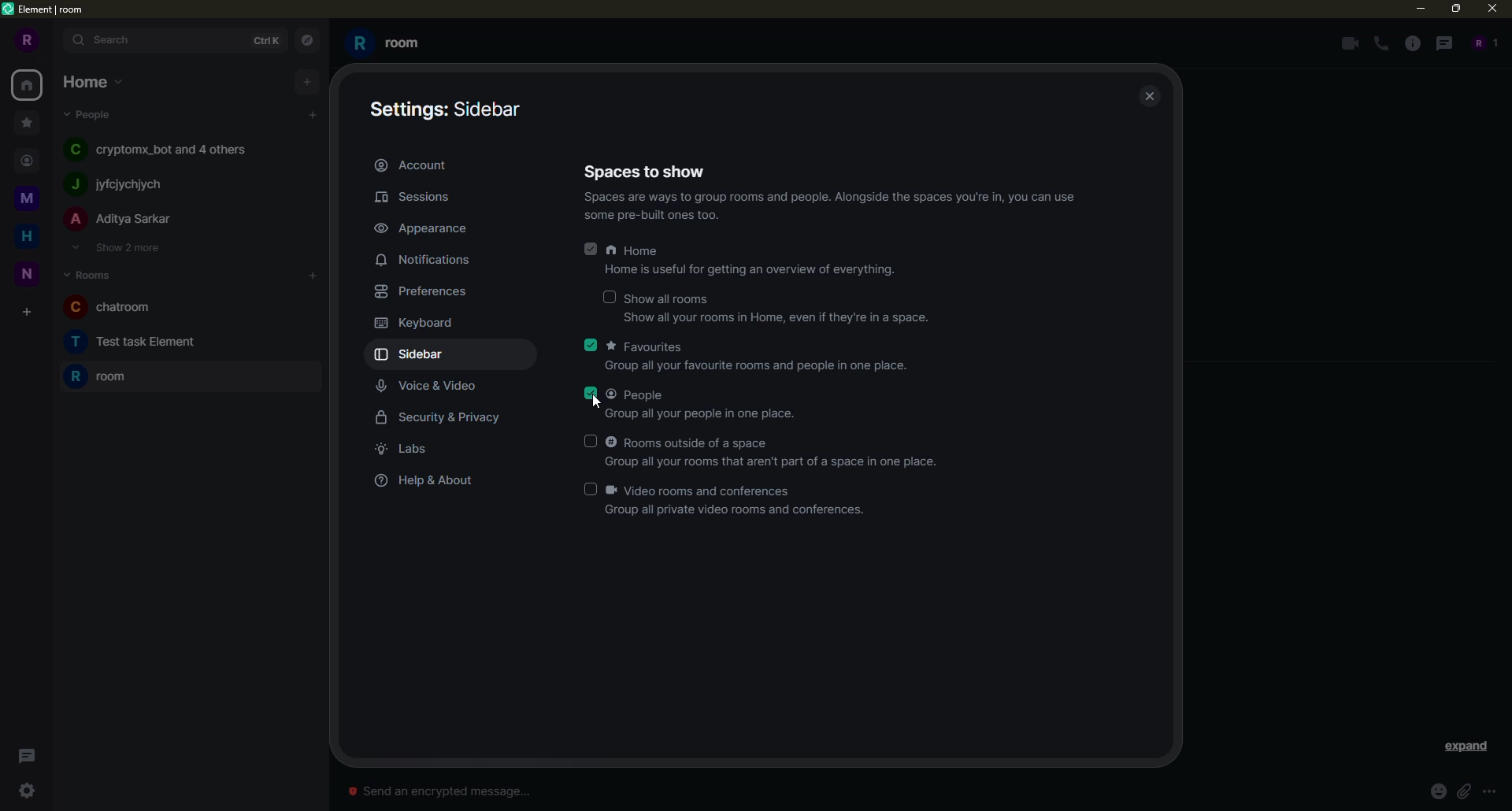  I want to click on more, so click(1489, 792).